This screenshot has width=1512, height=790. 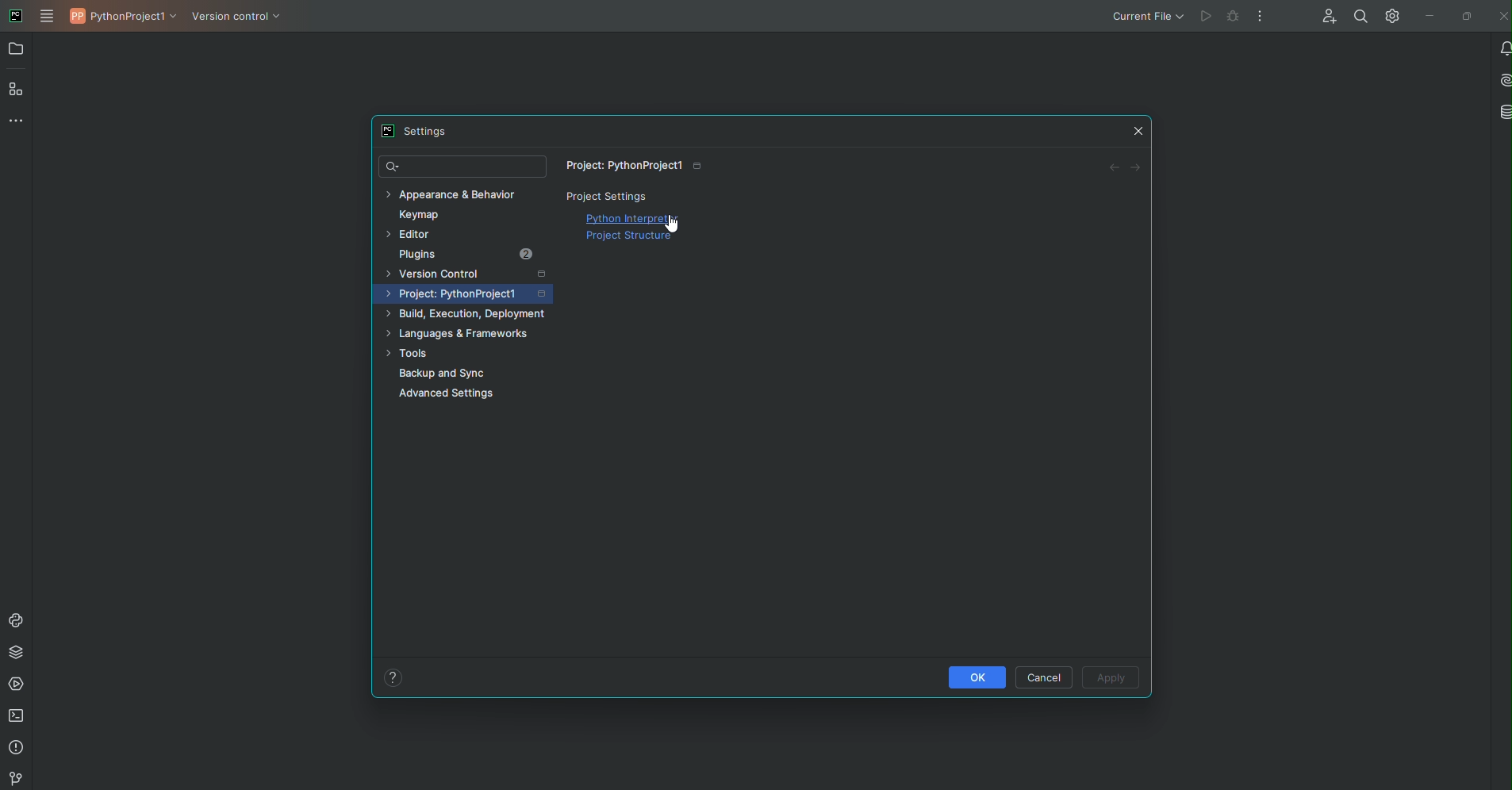 What do you see at coordinates (1139, 132) in the screenshot?
I see `Close` at bounding box center [1139, 132].